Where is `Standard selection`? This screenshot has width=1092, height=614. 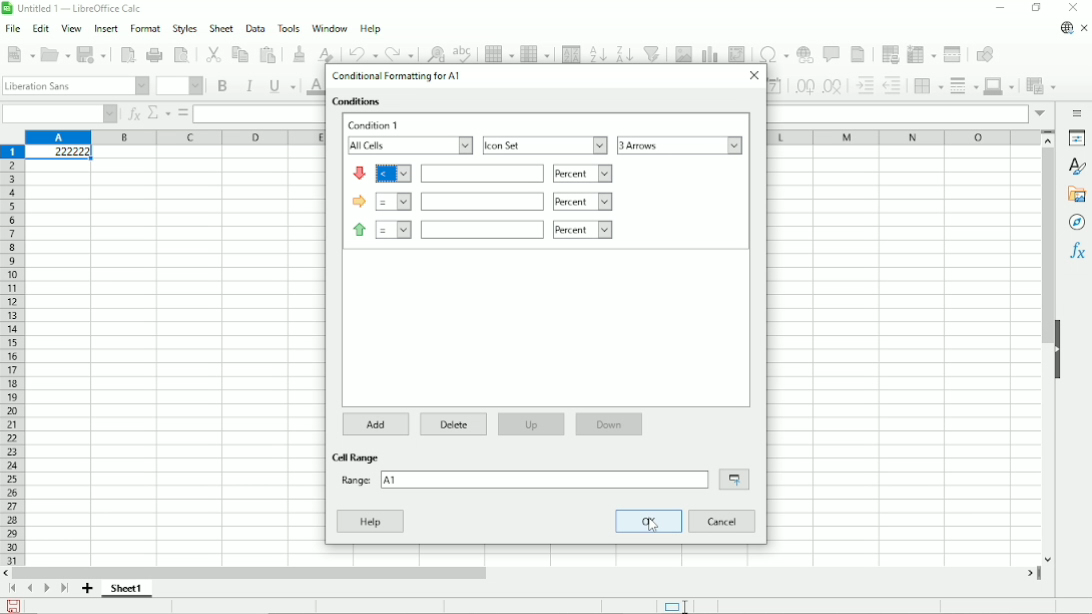 Standard selection is located at coordinates (674, 605).